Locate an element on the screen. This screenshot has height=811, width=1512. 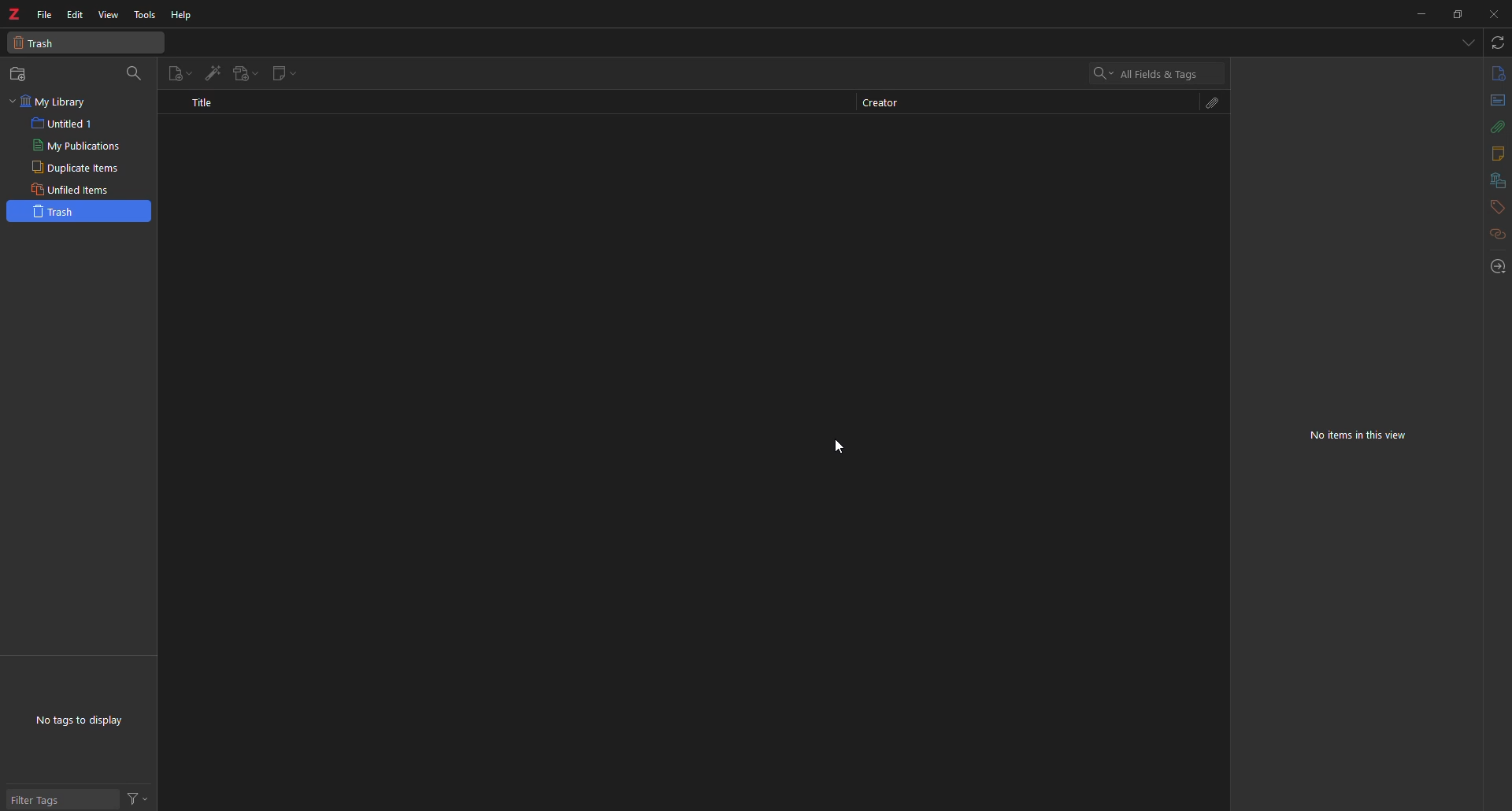
attach is located at coordinates (1214, 103).